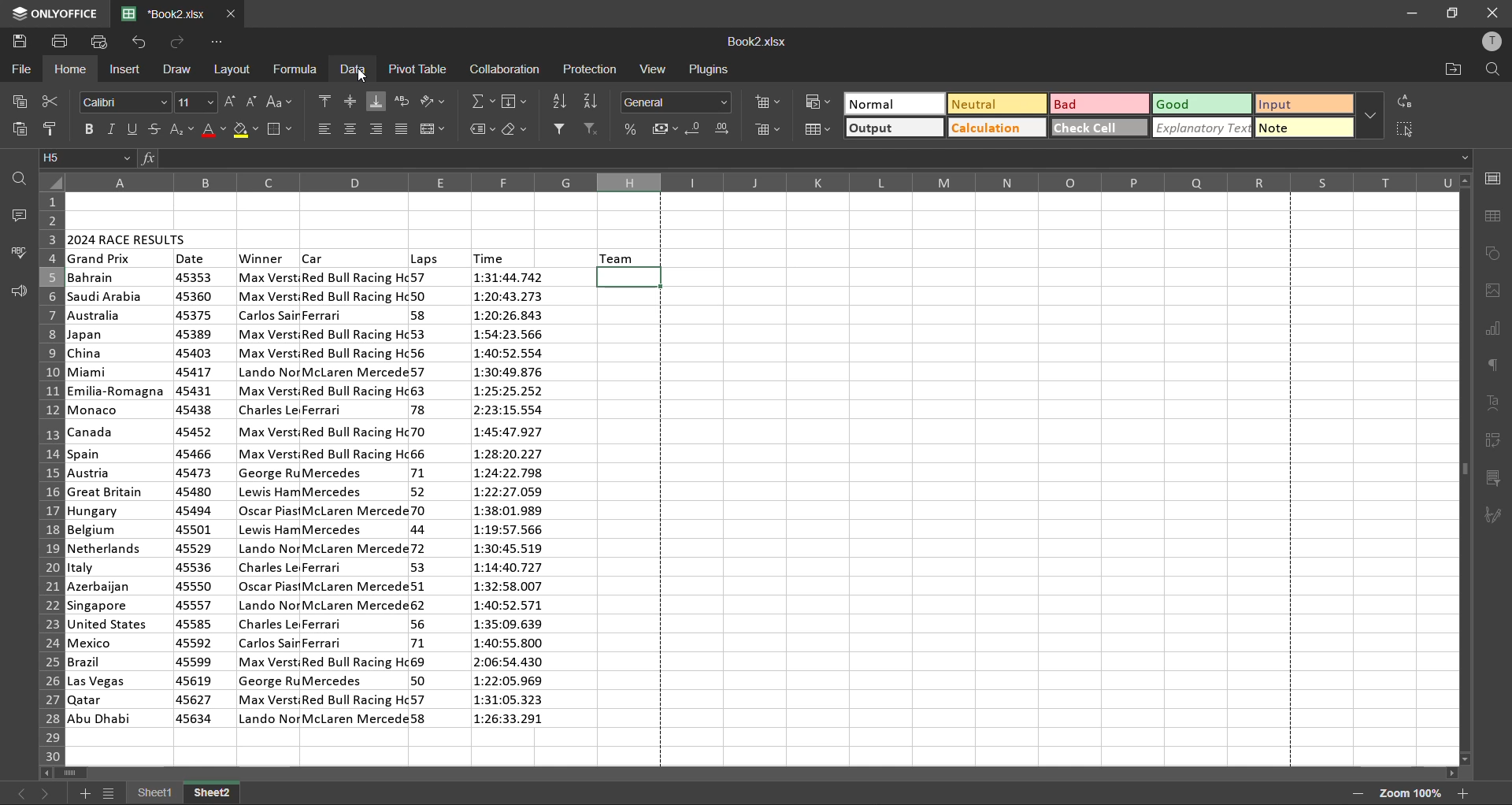 This screenshot has width=1512, height=805. I want to click on percent, so click(631, 129).